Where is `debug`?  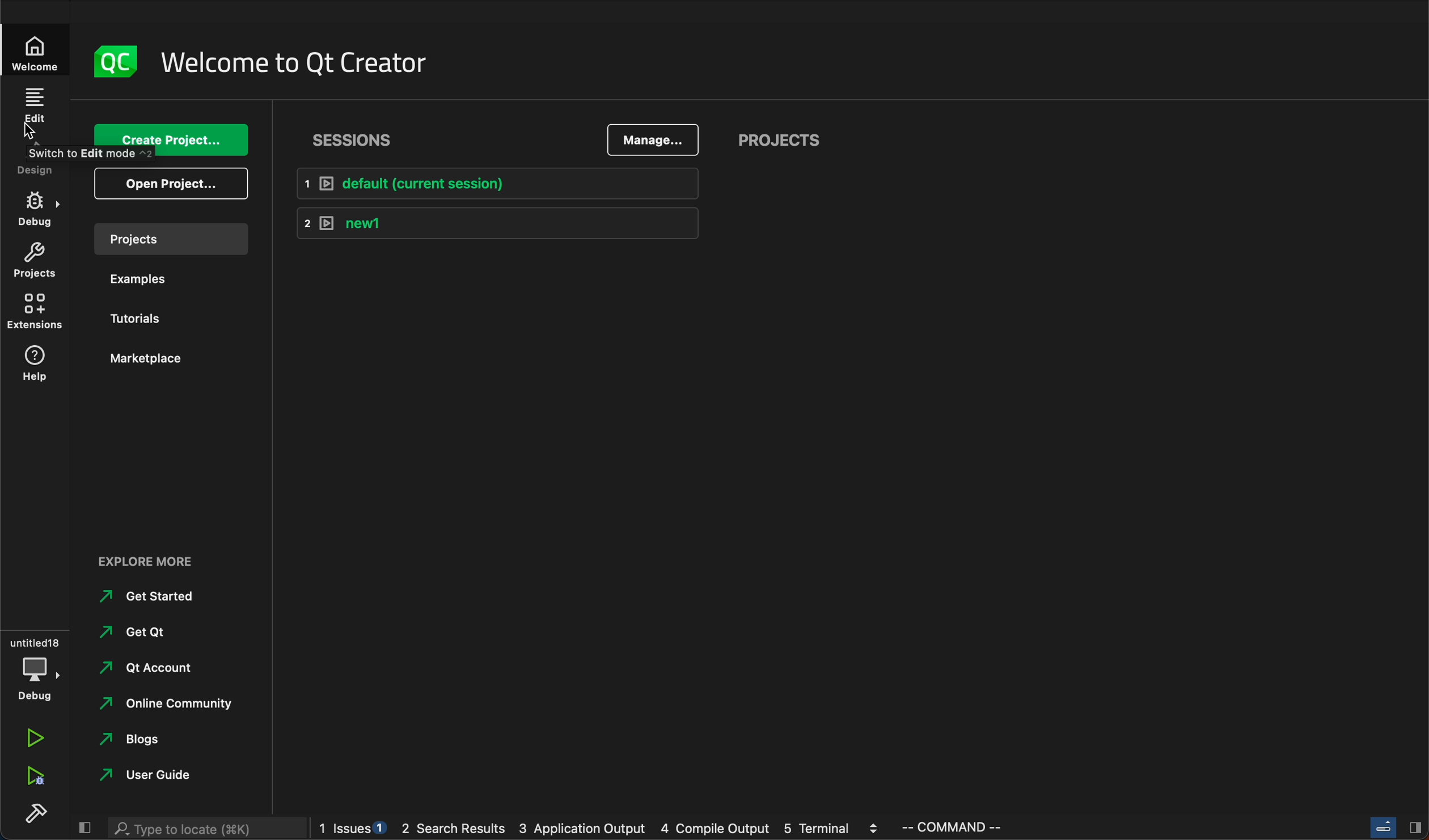
debug is located at coordinates (35, 669).